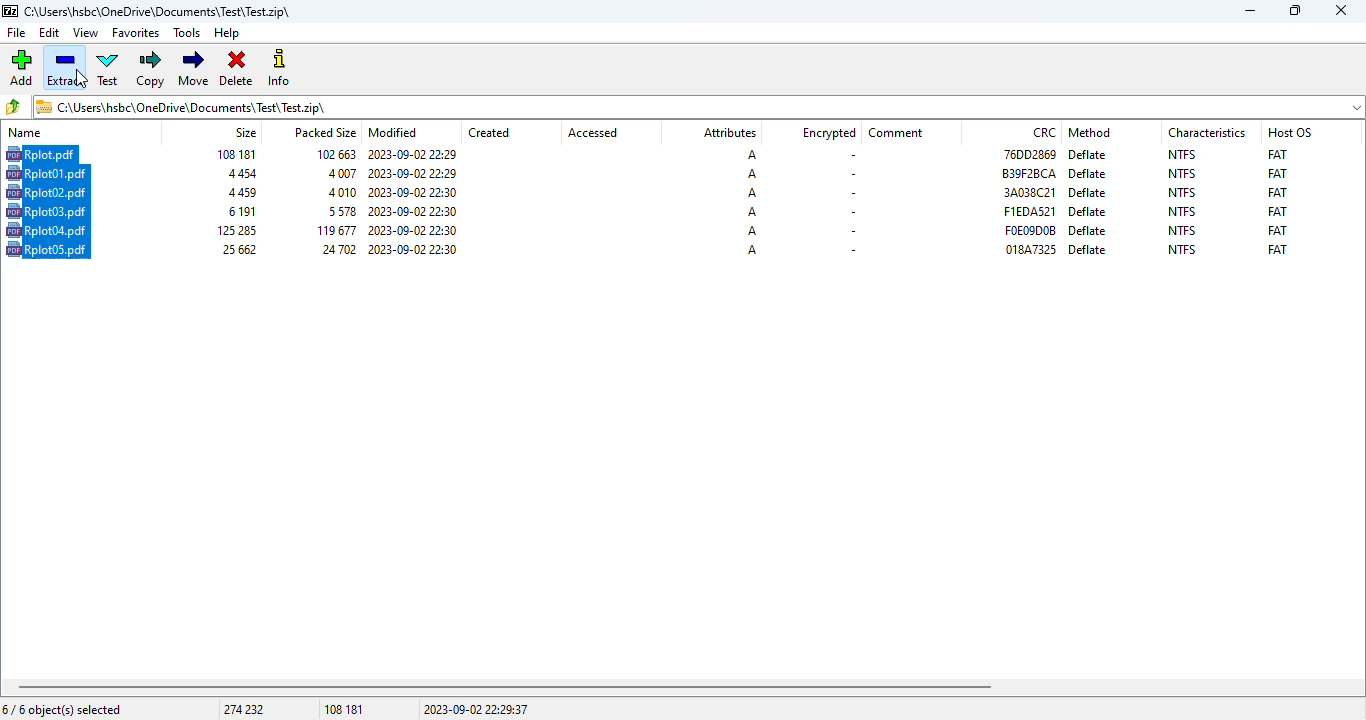 This screenshot has height=720, width=1366. What do you see at coordinates (1182, 192) in the screenshot?
I see `NTFS` at bounding box center [1182, 192].